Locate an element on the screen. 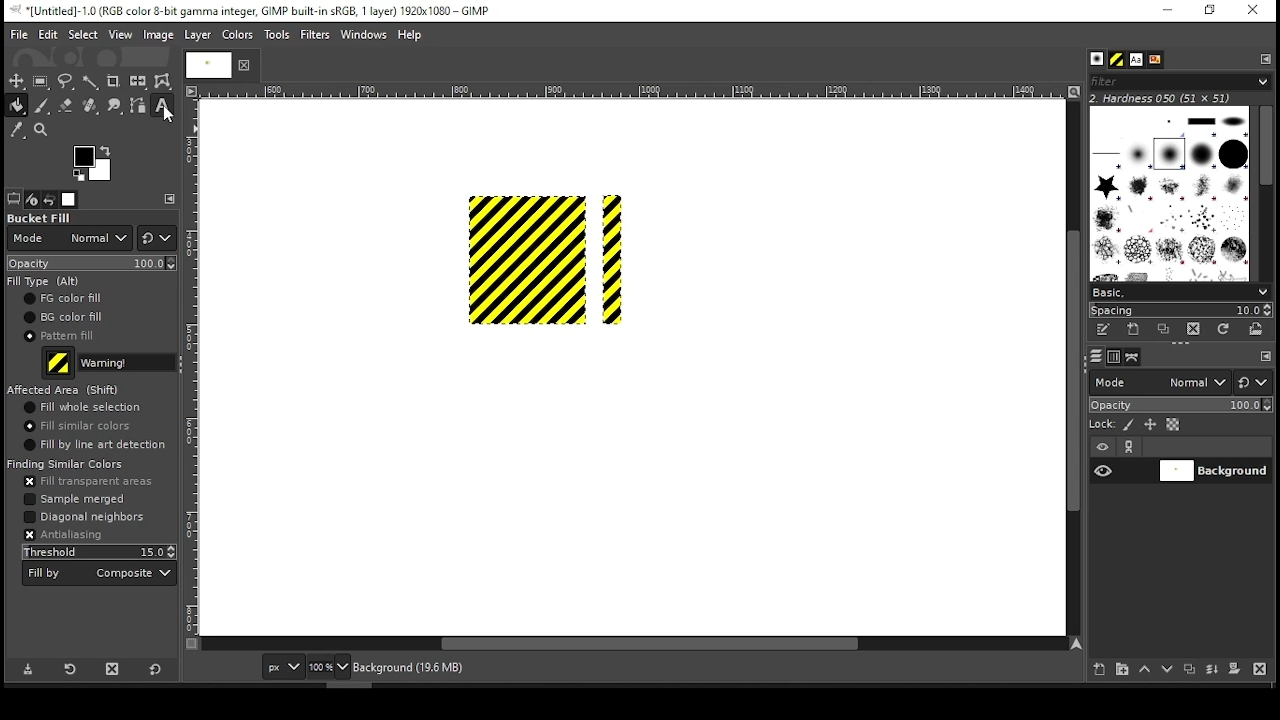  configure this tab is located at coordinates (1267, 58).